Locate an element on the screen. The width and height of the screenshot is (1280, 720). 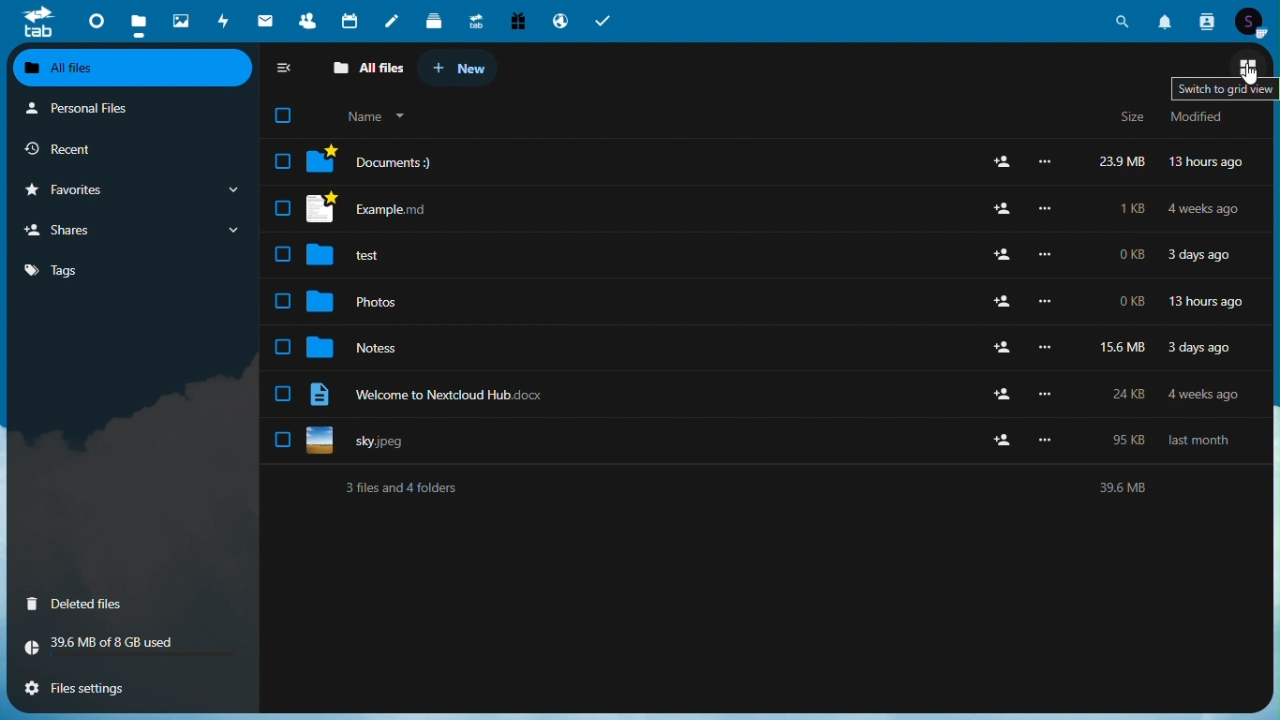
folder is located at coordinates (320, 302).